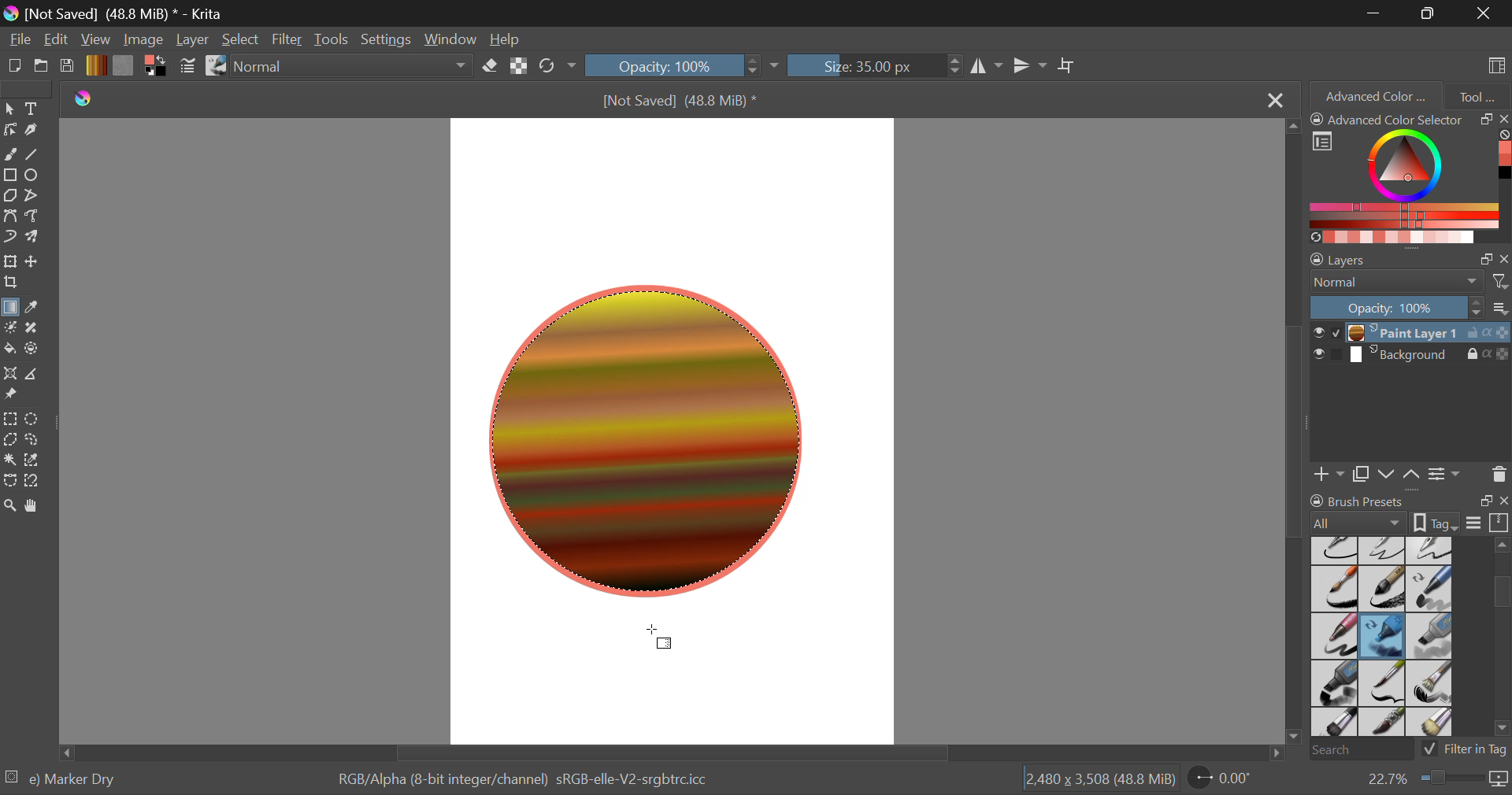  What do you see at coordinates (1334, 636) in the screenshot?
I see `Marker Smooth` at bounding box center [1334, 636].